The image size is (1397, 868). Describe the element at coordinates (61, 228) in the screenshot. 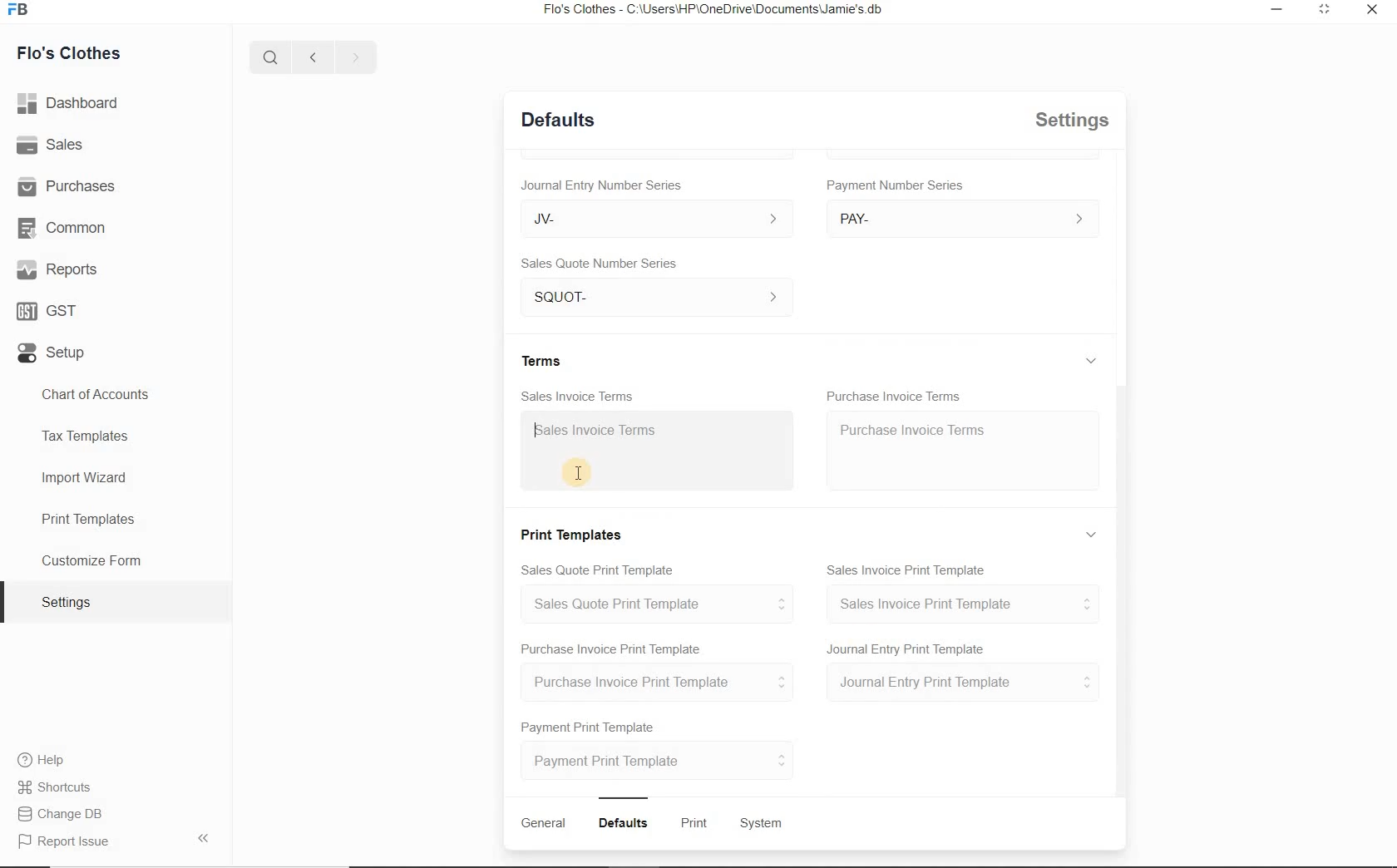

I see `Common` at that location.